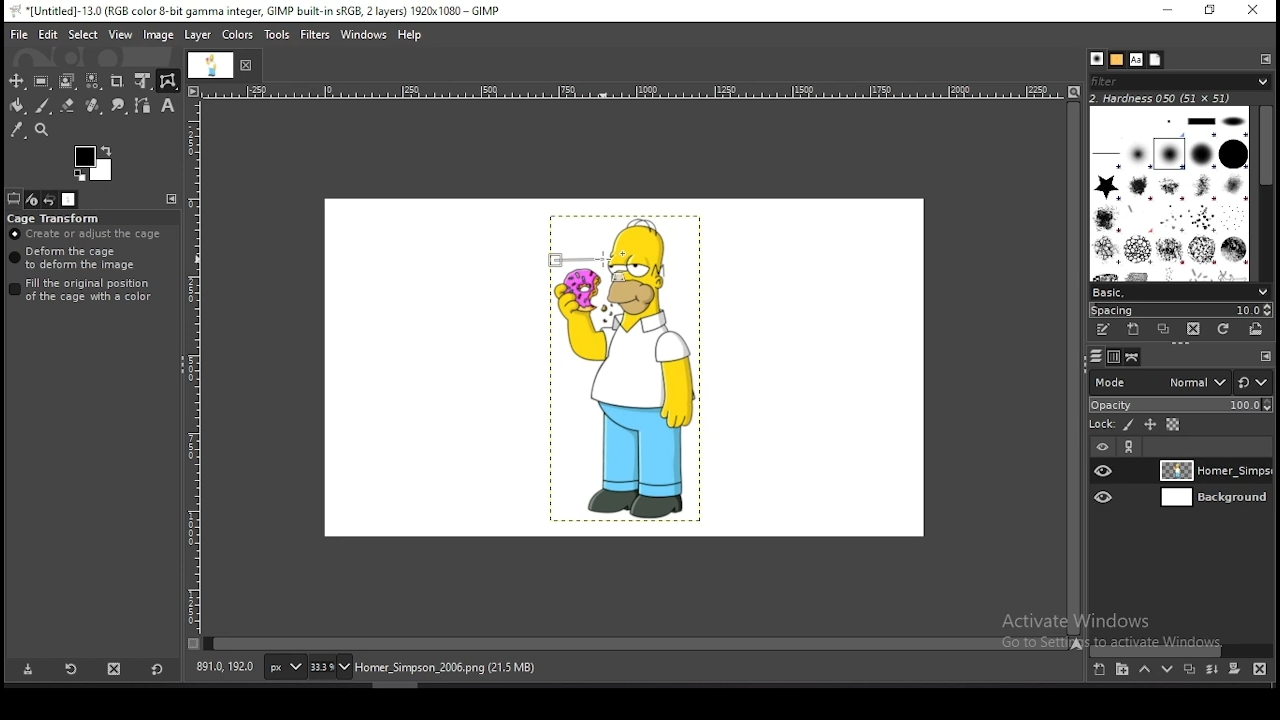 Image resolution: width=1280 pixels, height=720 pixels. What do you see at coordinates (1149, 425) in the screenshot?
I see `lock position and size` at bounding box center [1149, 425].